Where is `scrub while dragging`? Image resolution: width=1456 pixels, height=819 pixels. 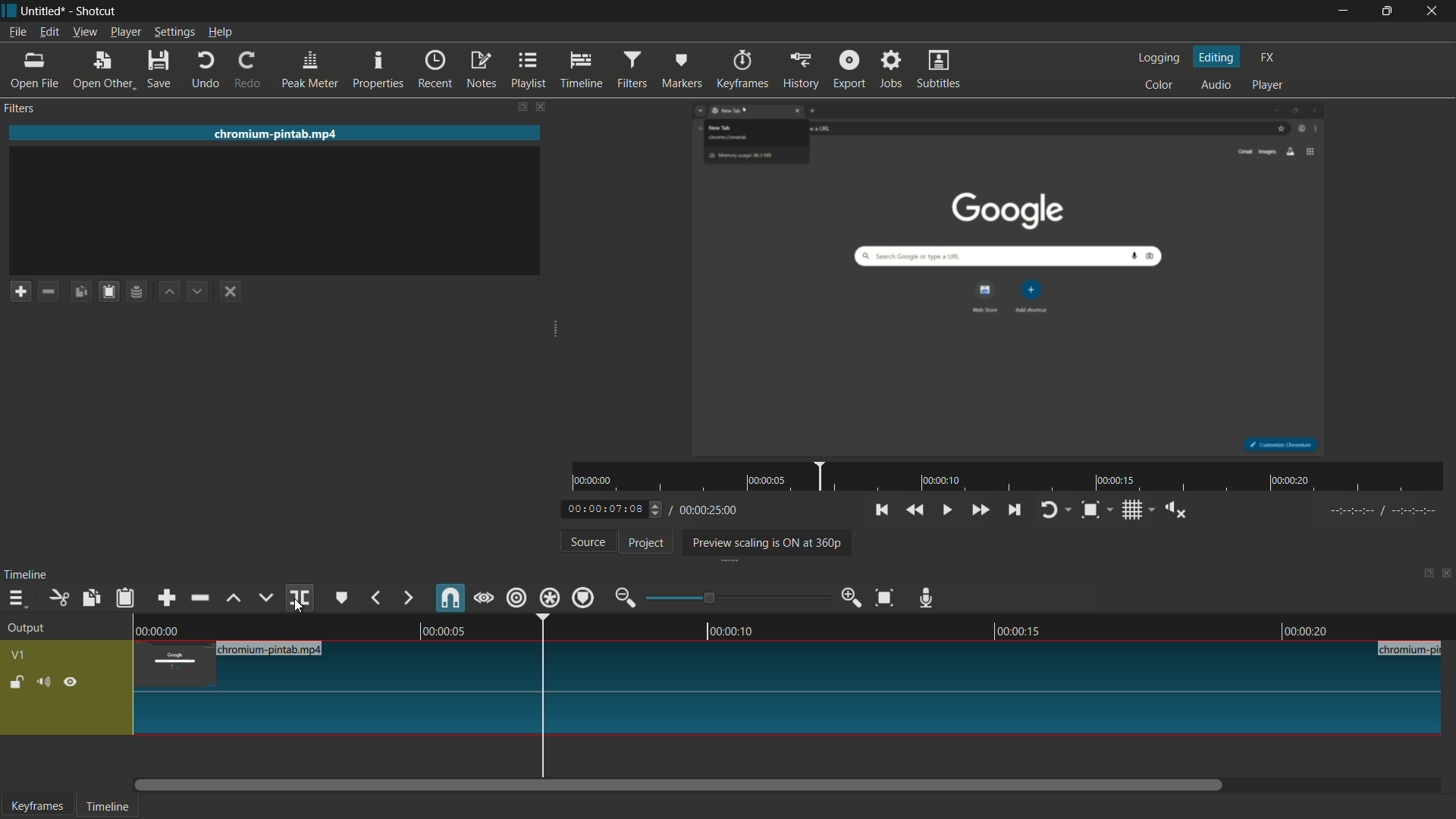 scrub while dragging is located at coordinates (485, 600).